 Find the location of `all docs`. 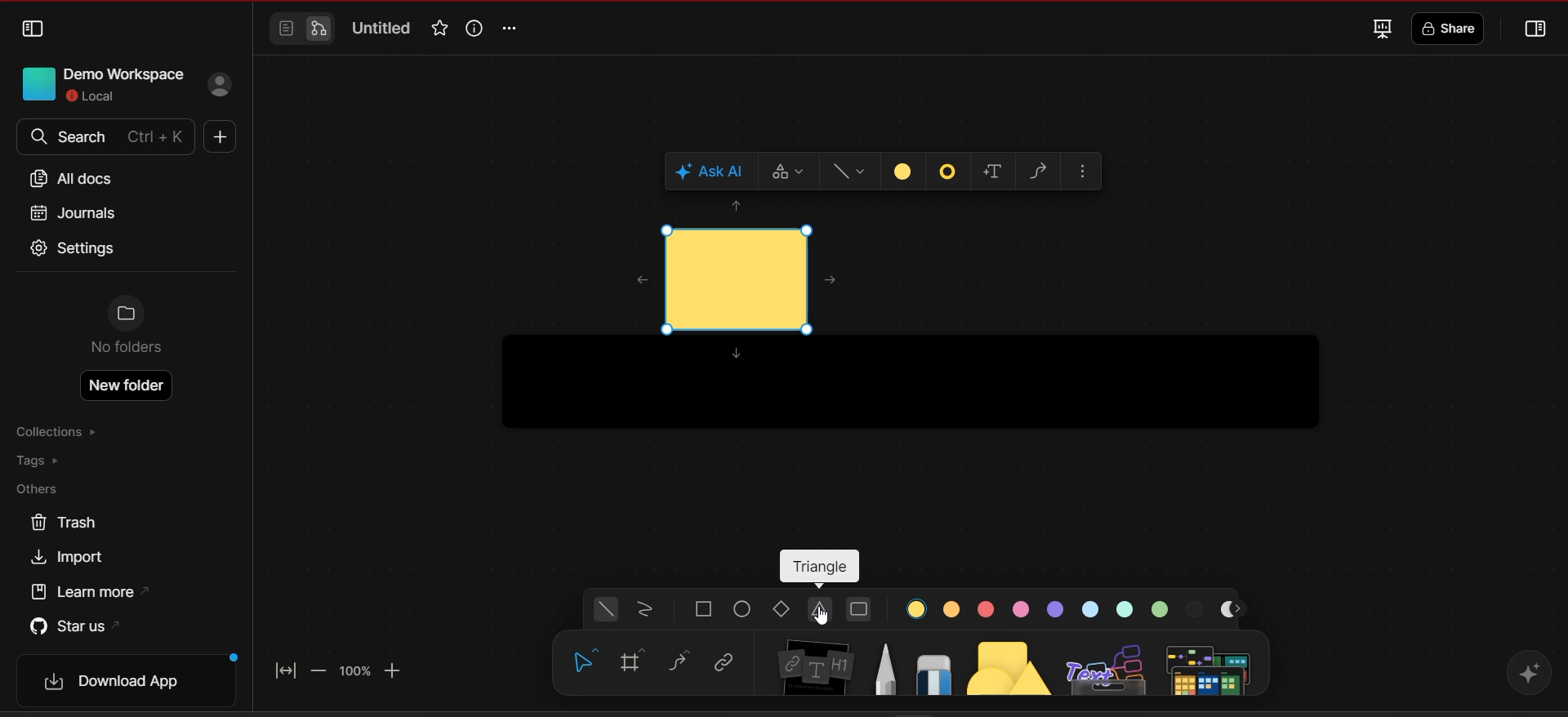

all docs is located at coordinates (78, 179).